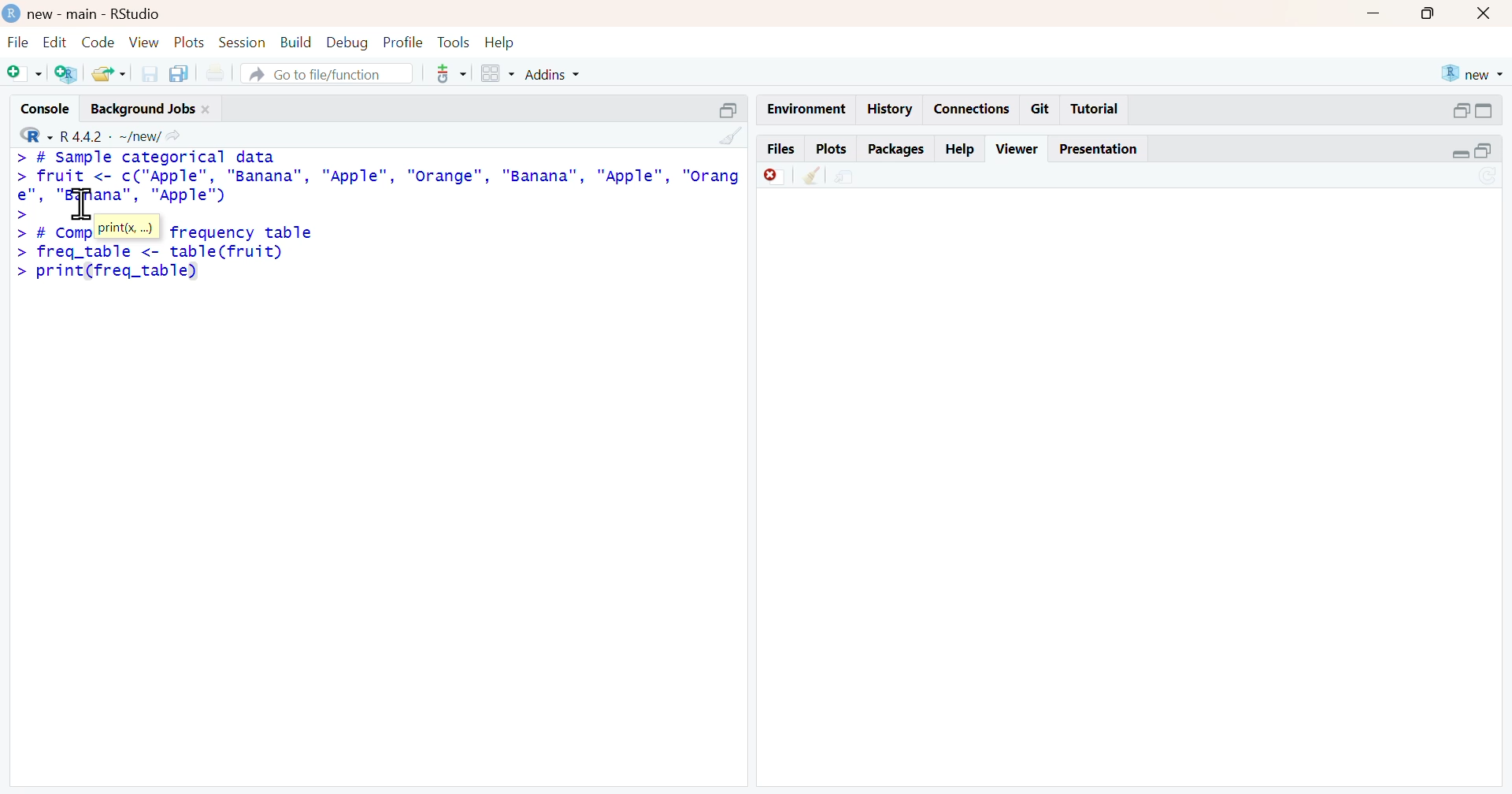 The image size is (1512, 794). What do you see at coordinates (190, 43) in the screenshot?
I see `plots` at bounding box center [190, 43].